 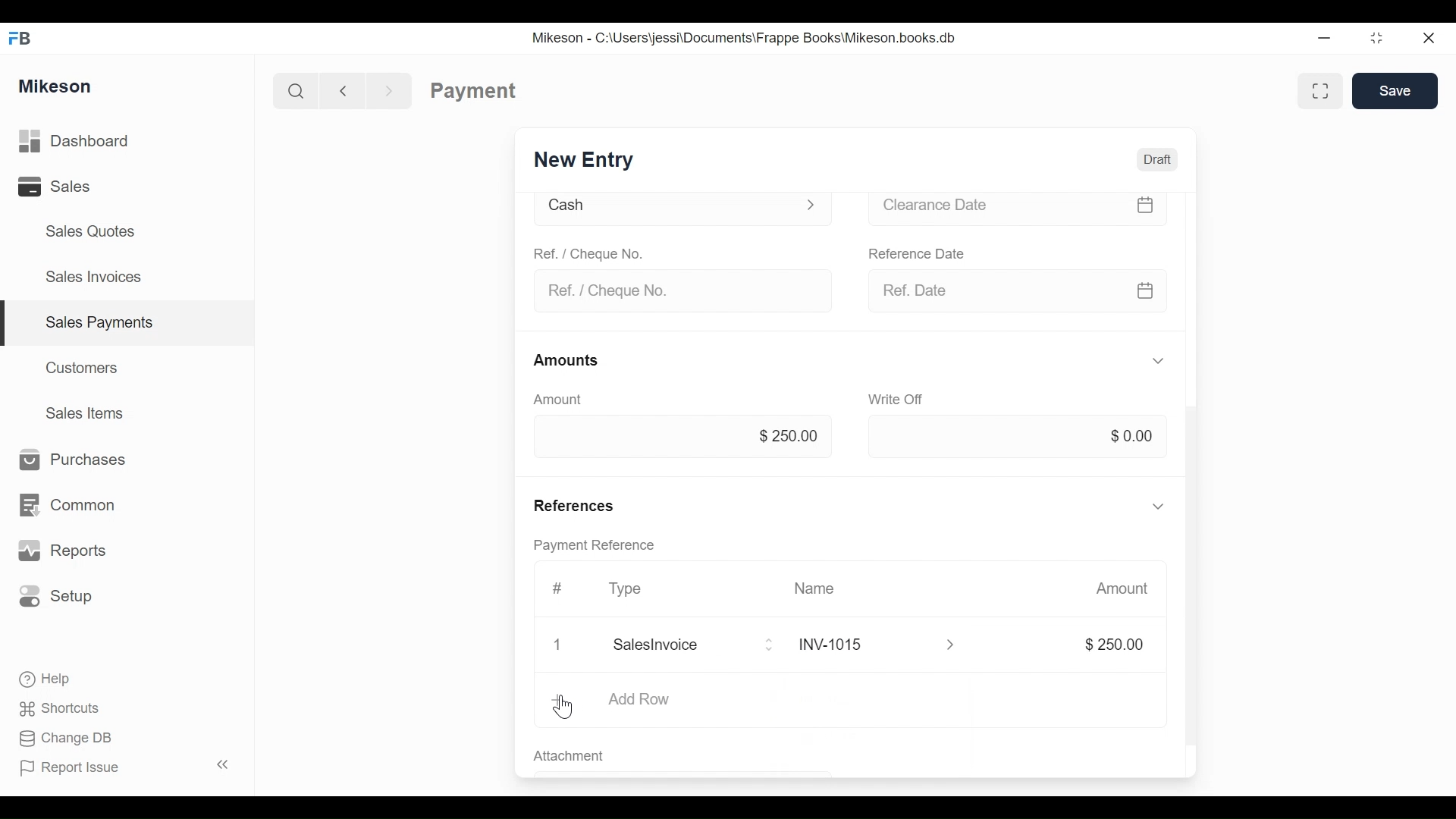 What do you see at coordinates (86, 366) in the screenshot?
I see `Customers` at bounding box center [86, 366].